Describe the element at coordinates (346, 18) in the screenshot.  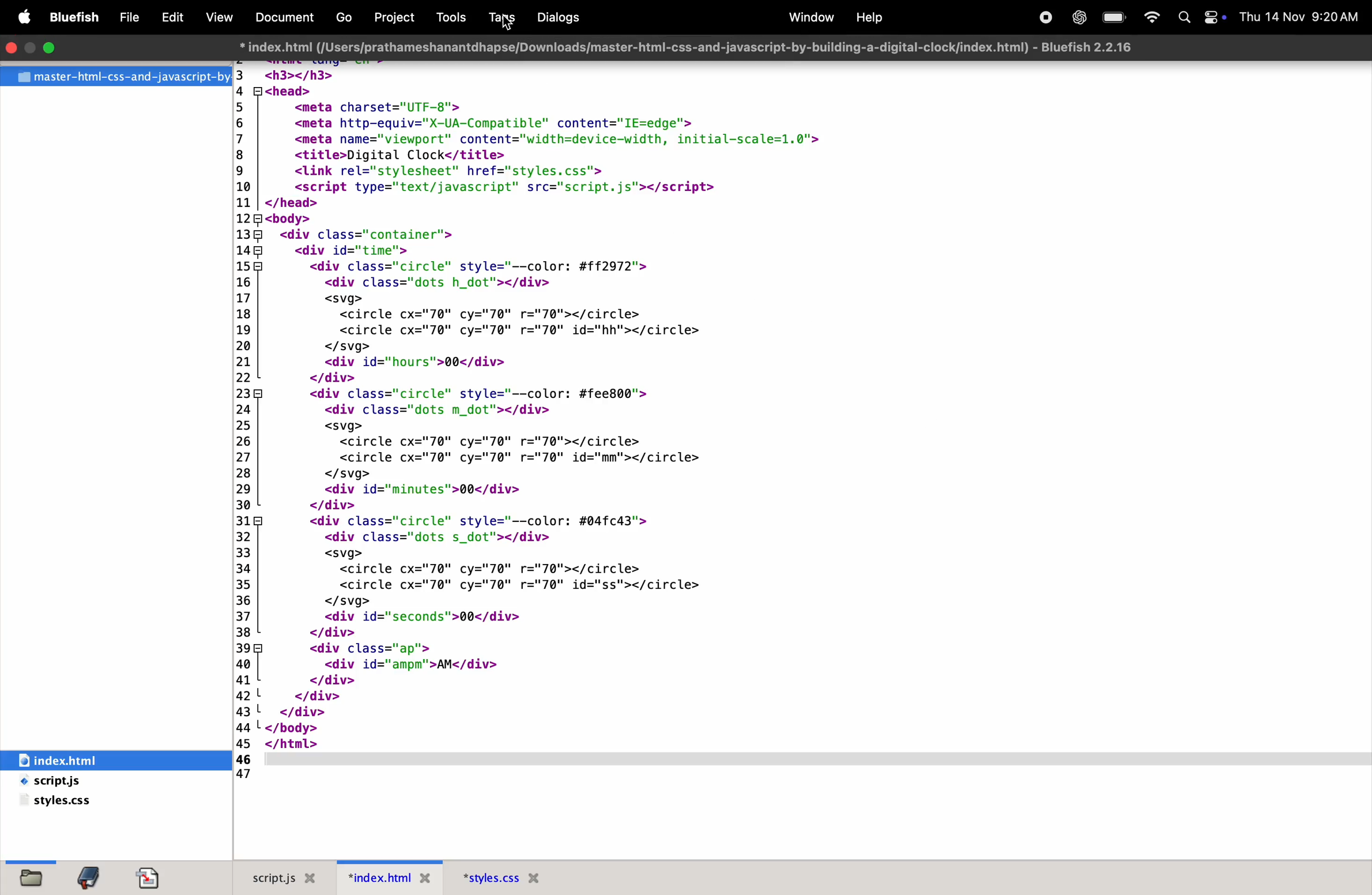
I see `Go` at that location.